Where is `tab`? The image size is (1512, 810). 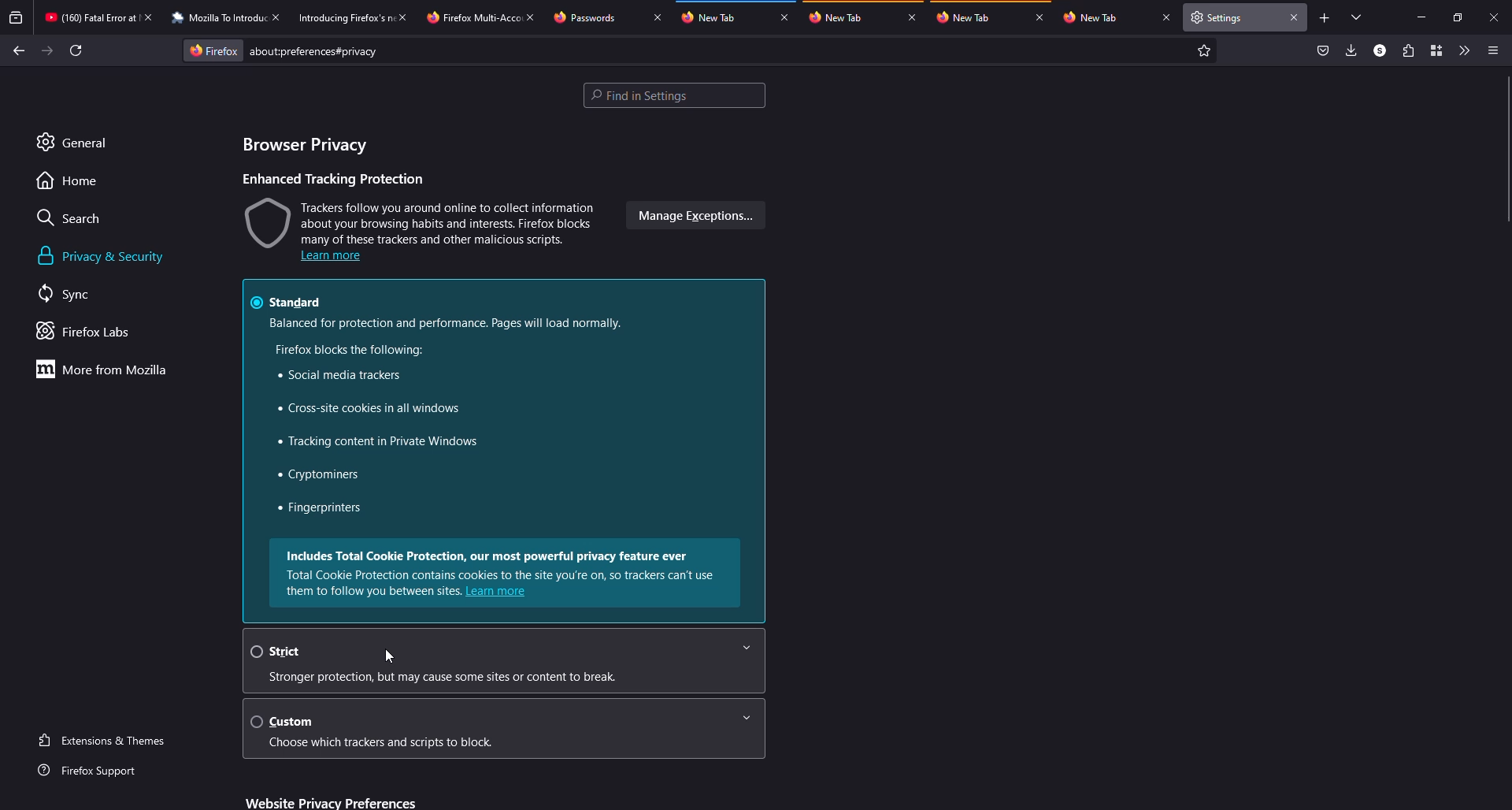
tab is located at coordinates (1091, 17).